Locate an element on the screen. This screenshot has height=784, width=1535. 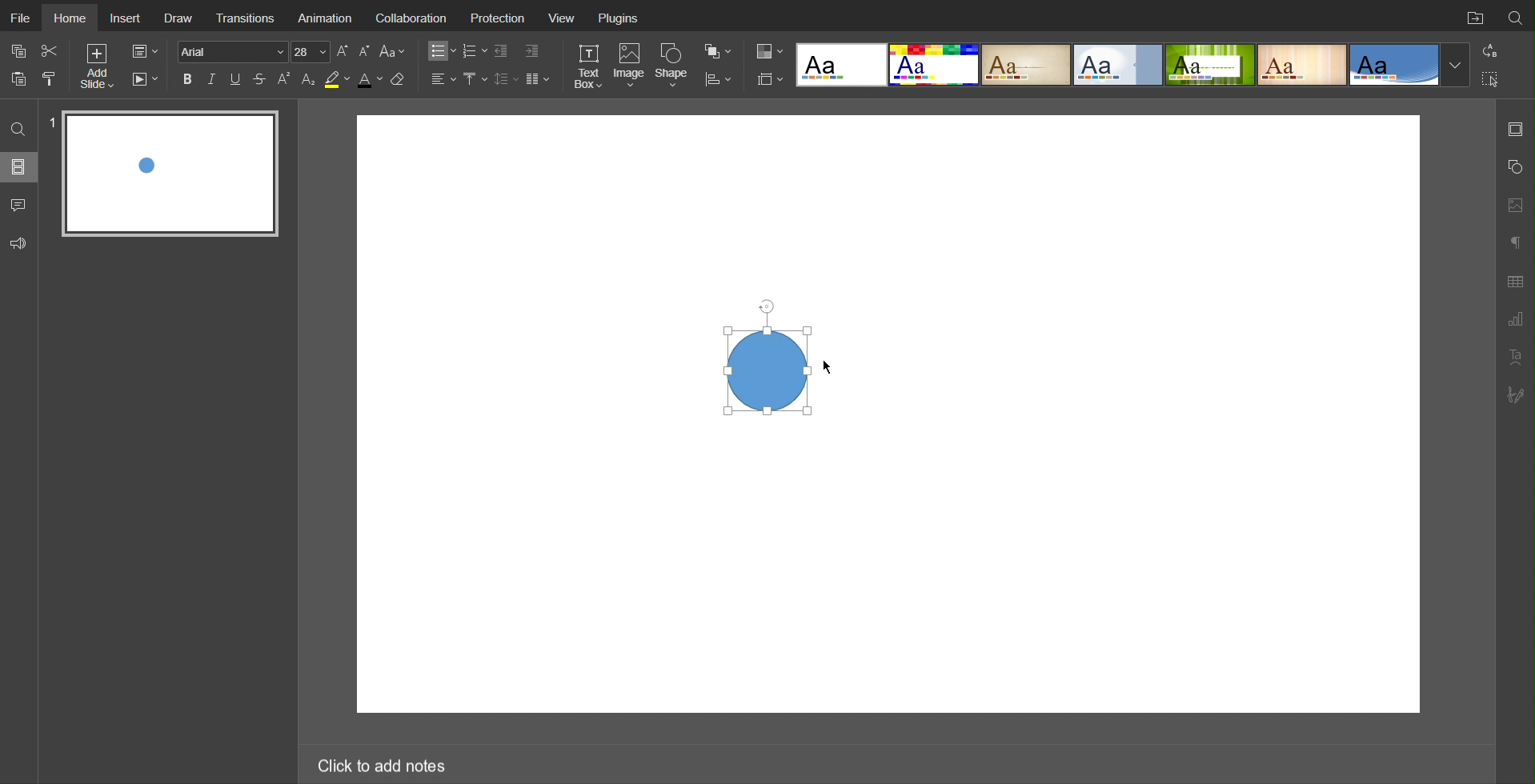
Erase is located at coordinates (401, 80).